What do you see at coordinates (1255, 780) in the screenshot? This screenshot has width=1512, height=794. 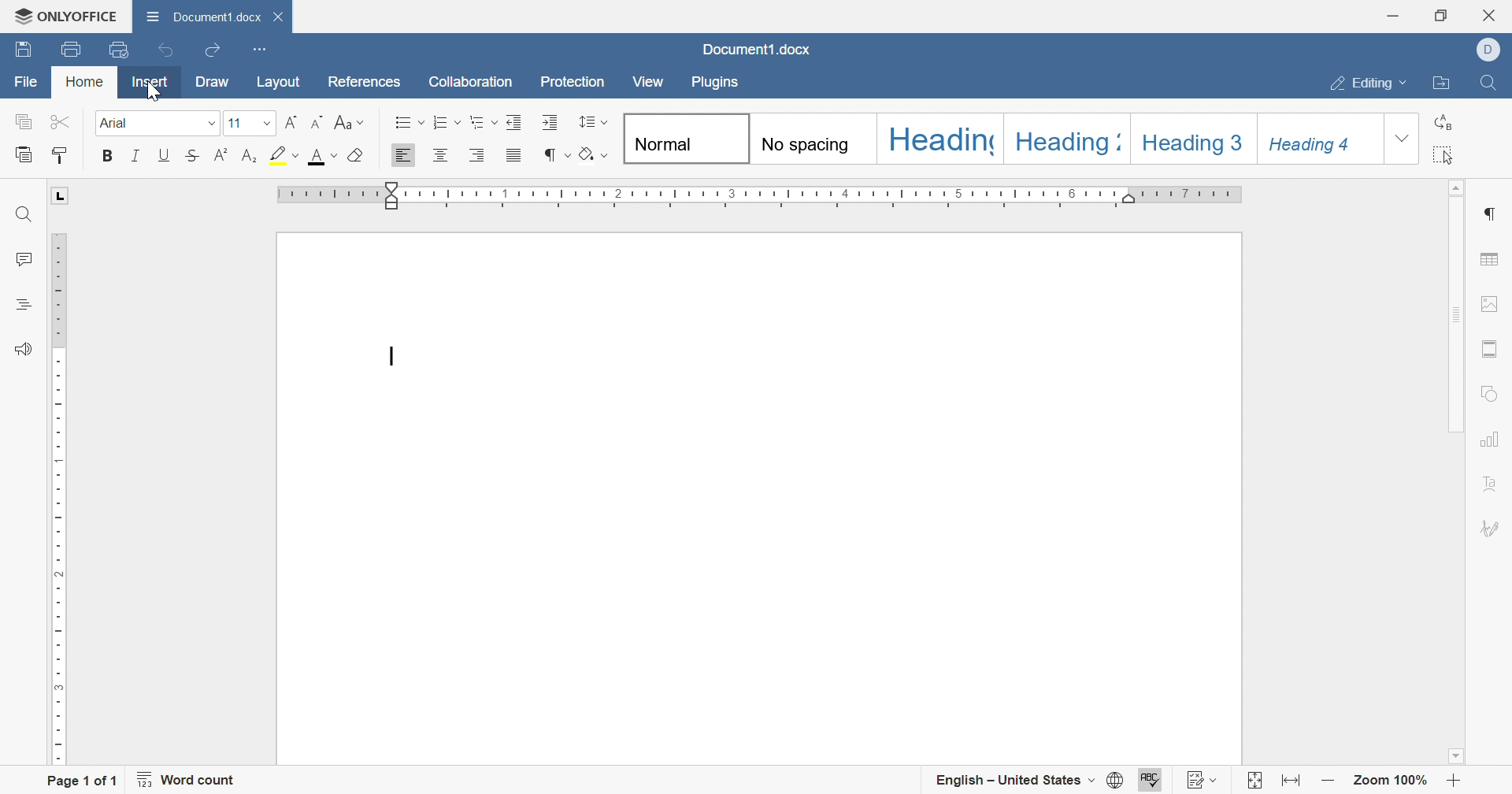 I see `Fit to page` at bounding box center [1255, 780].